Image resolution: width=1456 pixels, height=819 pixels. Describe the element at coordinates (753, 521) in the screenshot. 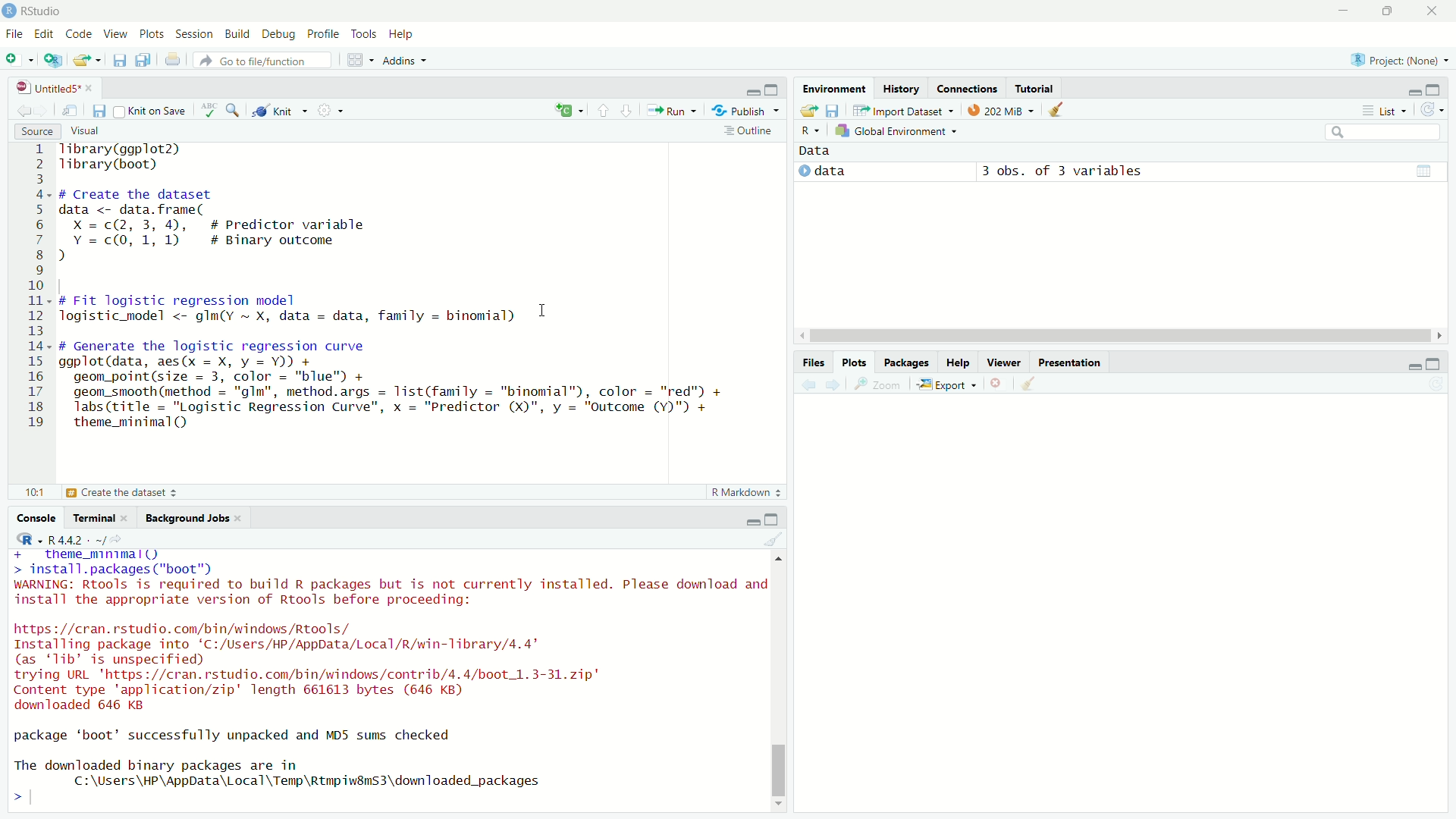

I see `minimize` at that location.